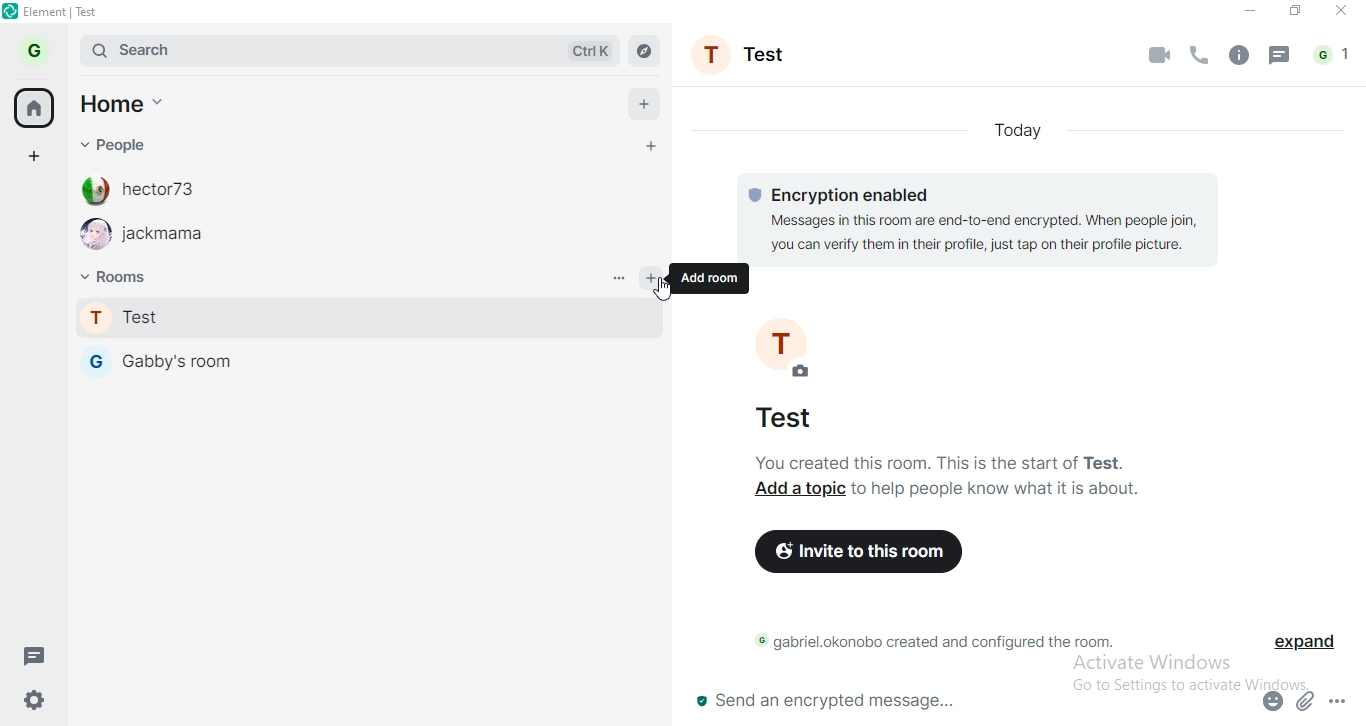 This screenshot has width=1366, height=726. Describe the element at coordinates (1239, 55) in the screenshot. I see `info` at that location.